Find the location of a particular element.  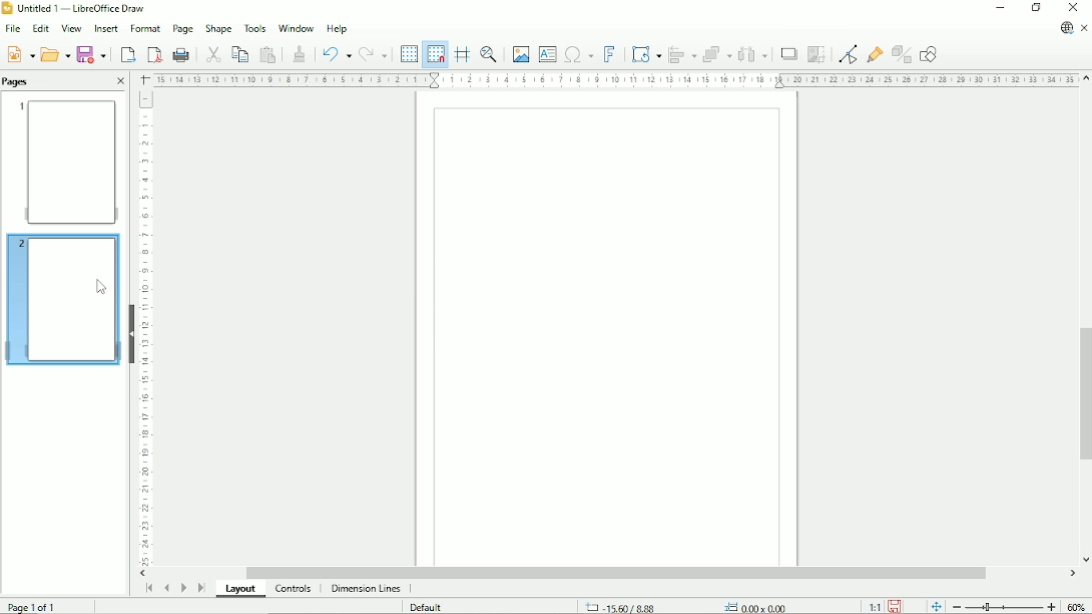

Toggle point edit mode is located at coordinates (850, 53).